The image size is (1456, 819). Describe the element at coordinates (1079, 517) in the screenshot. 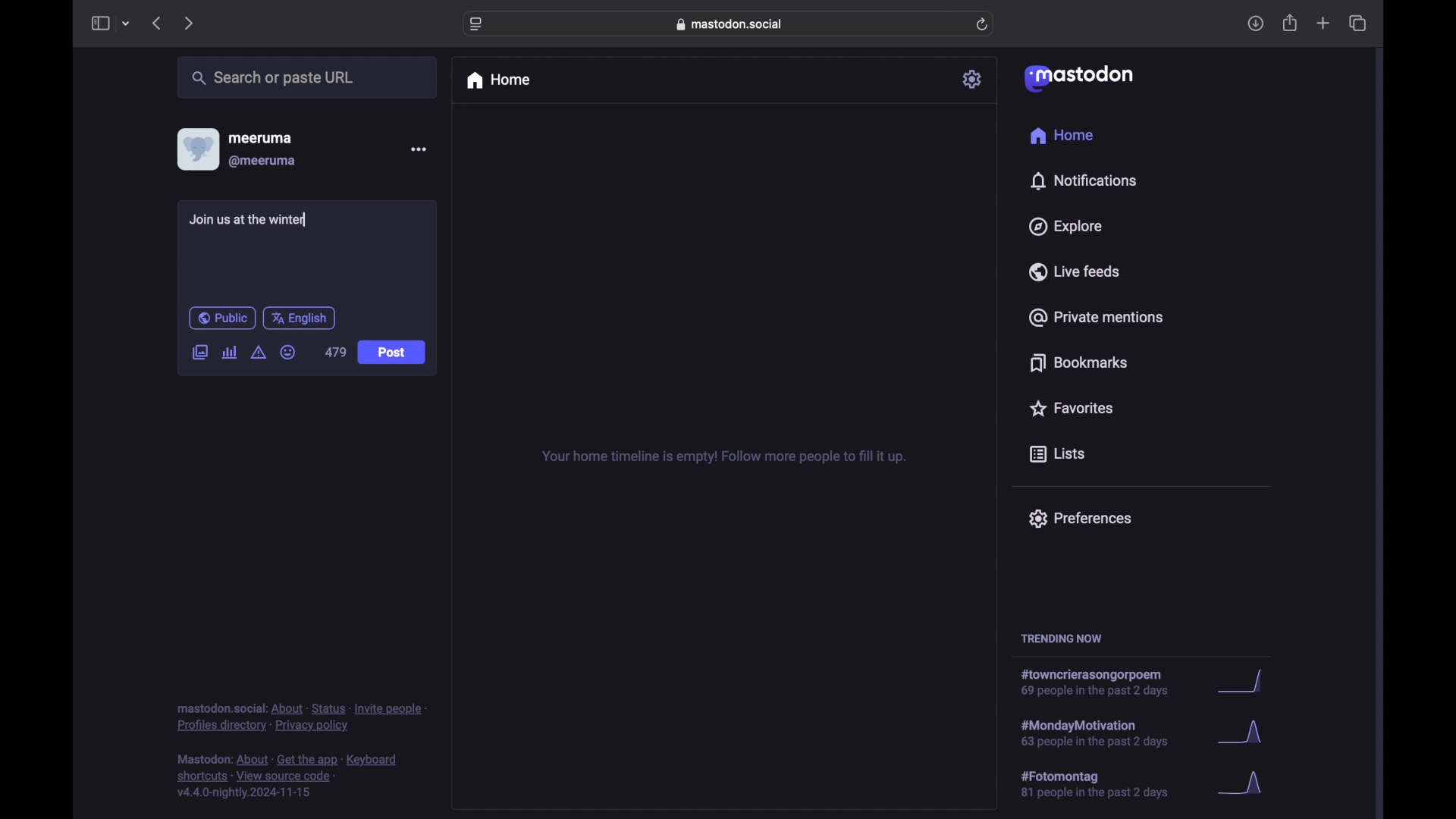

I see `preferences` at that location.